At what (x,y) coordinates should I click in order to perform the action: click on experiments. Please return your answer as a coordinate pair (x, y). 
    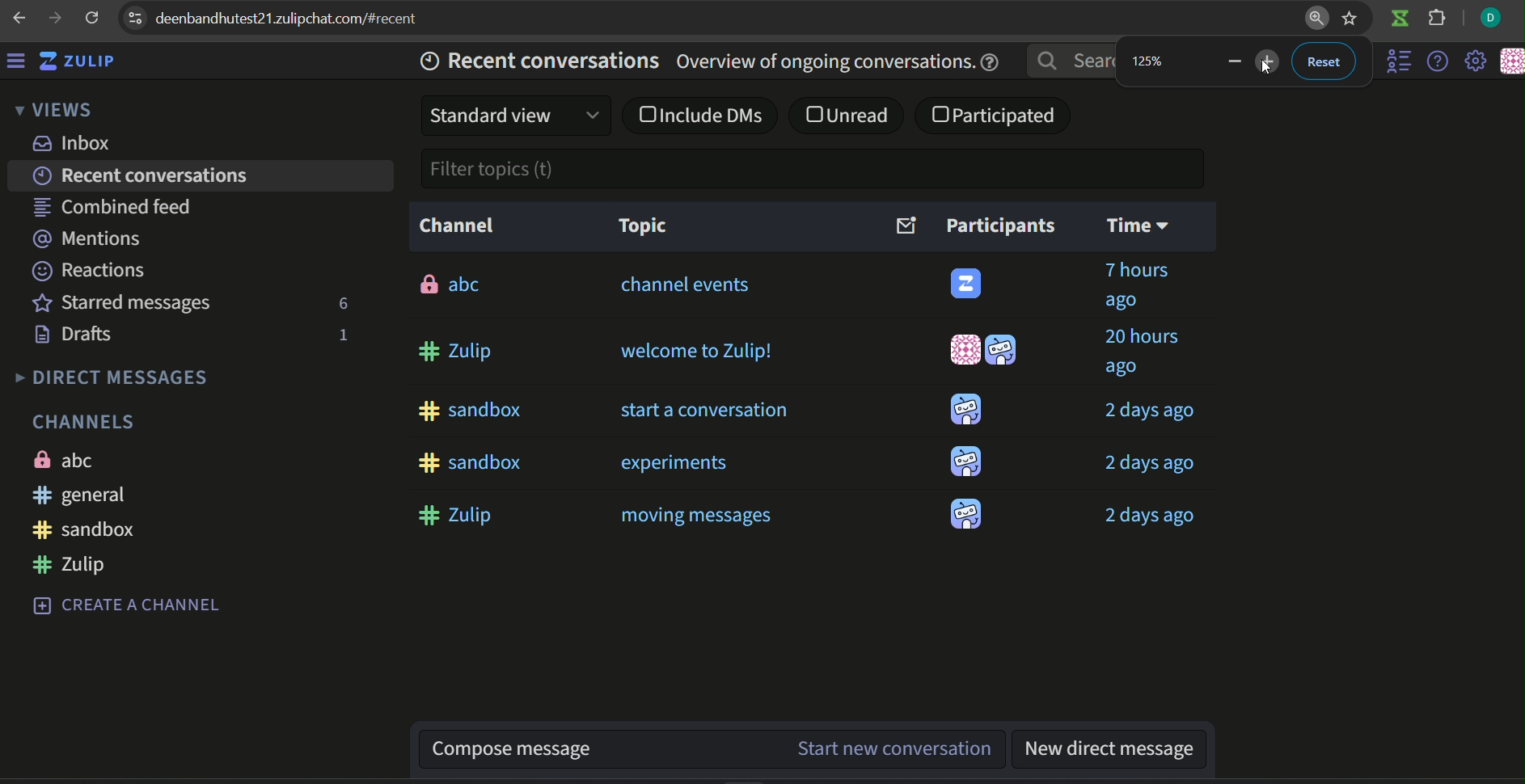
    Looking at the image, I should click on (673, 462).